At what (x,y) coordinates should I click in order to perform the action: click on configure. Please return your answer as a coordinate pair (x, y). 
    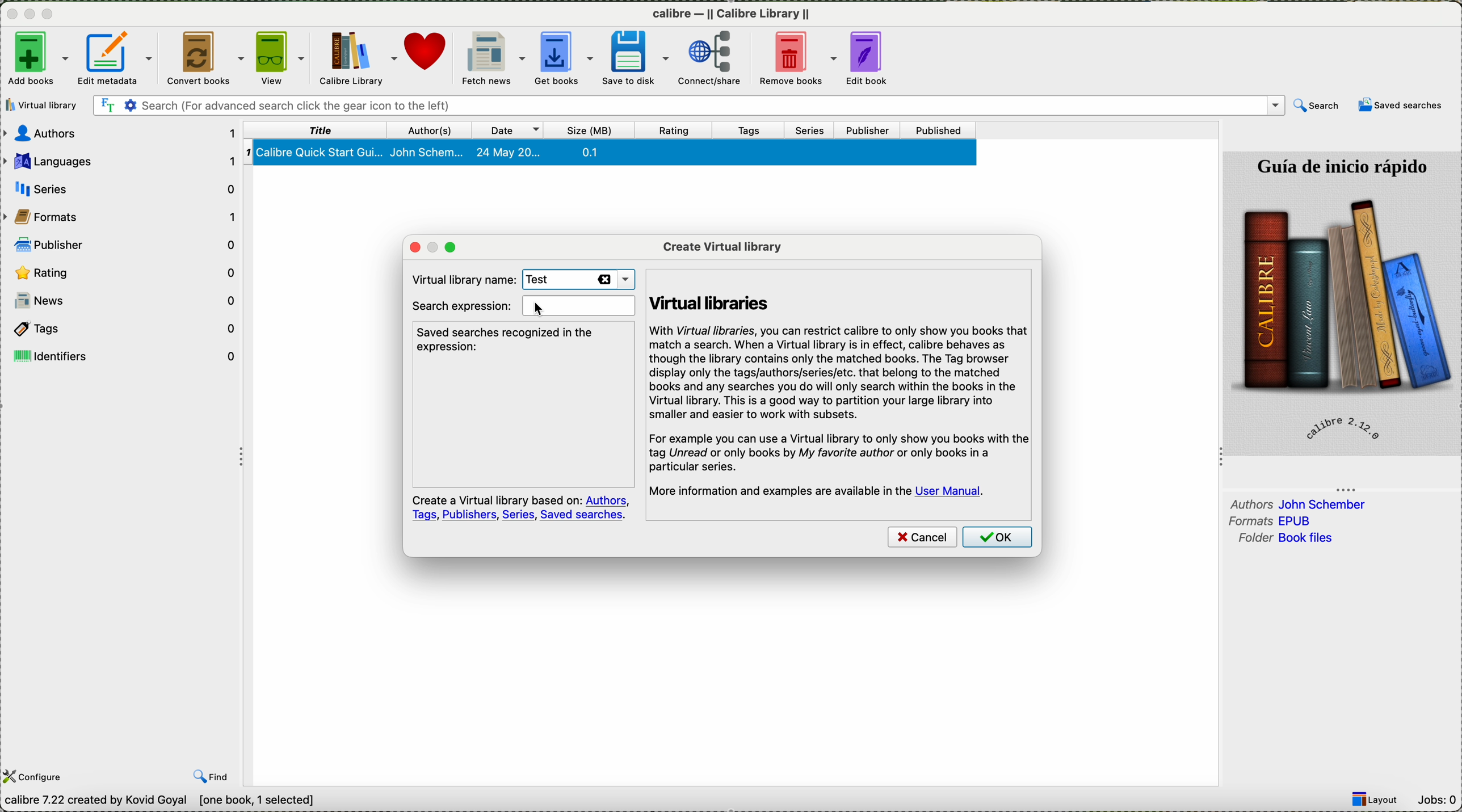
    Looking at the image, I should click on (36, 776).